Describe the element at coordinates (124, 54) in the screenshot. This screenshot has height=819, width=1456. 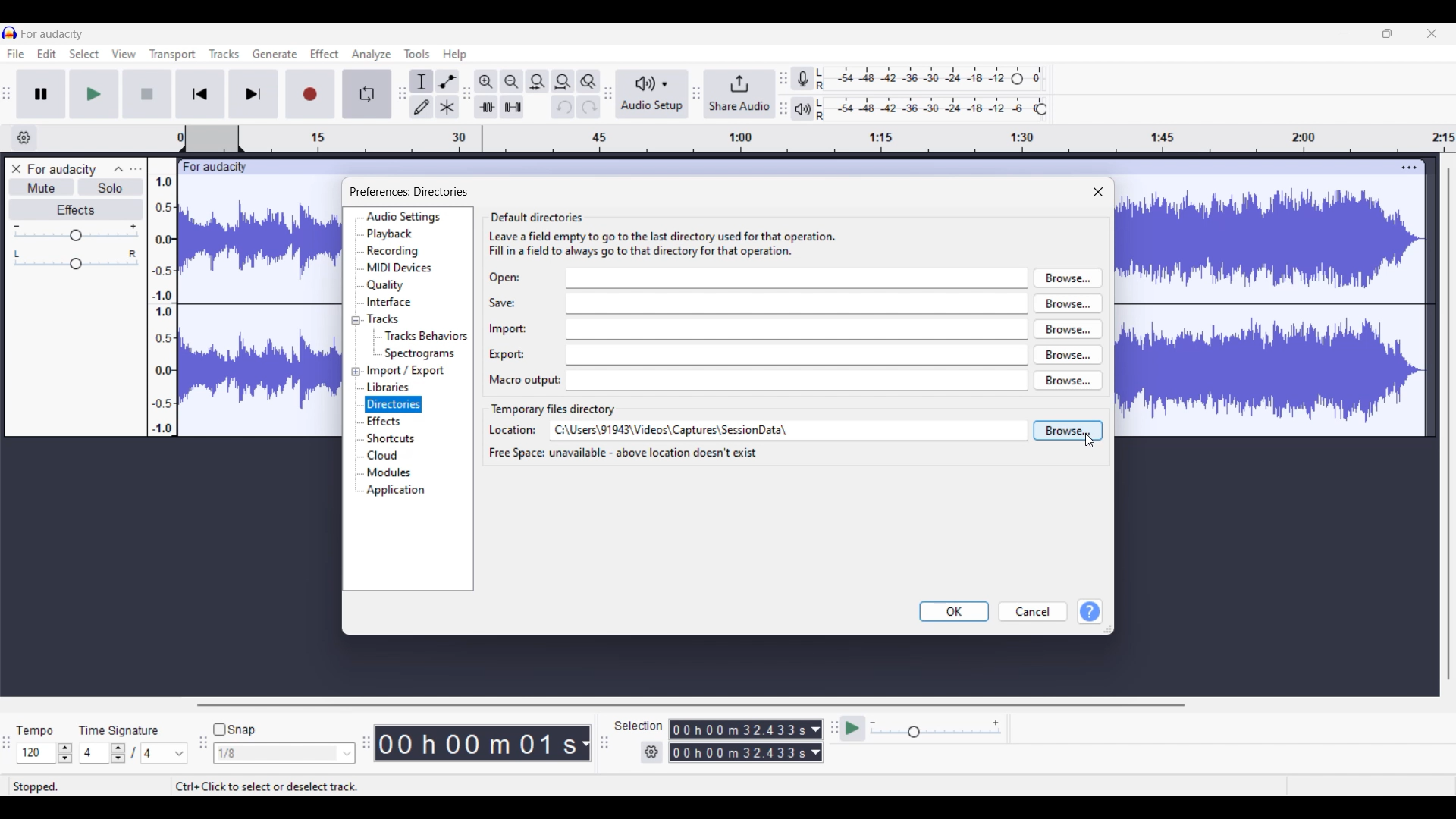
I see `View menu` at that location.